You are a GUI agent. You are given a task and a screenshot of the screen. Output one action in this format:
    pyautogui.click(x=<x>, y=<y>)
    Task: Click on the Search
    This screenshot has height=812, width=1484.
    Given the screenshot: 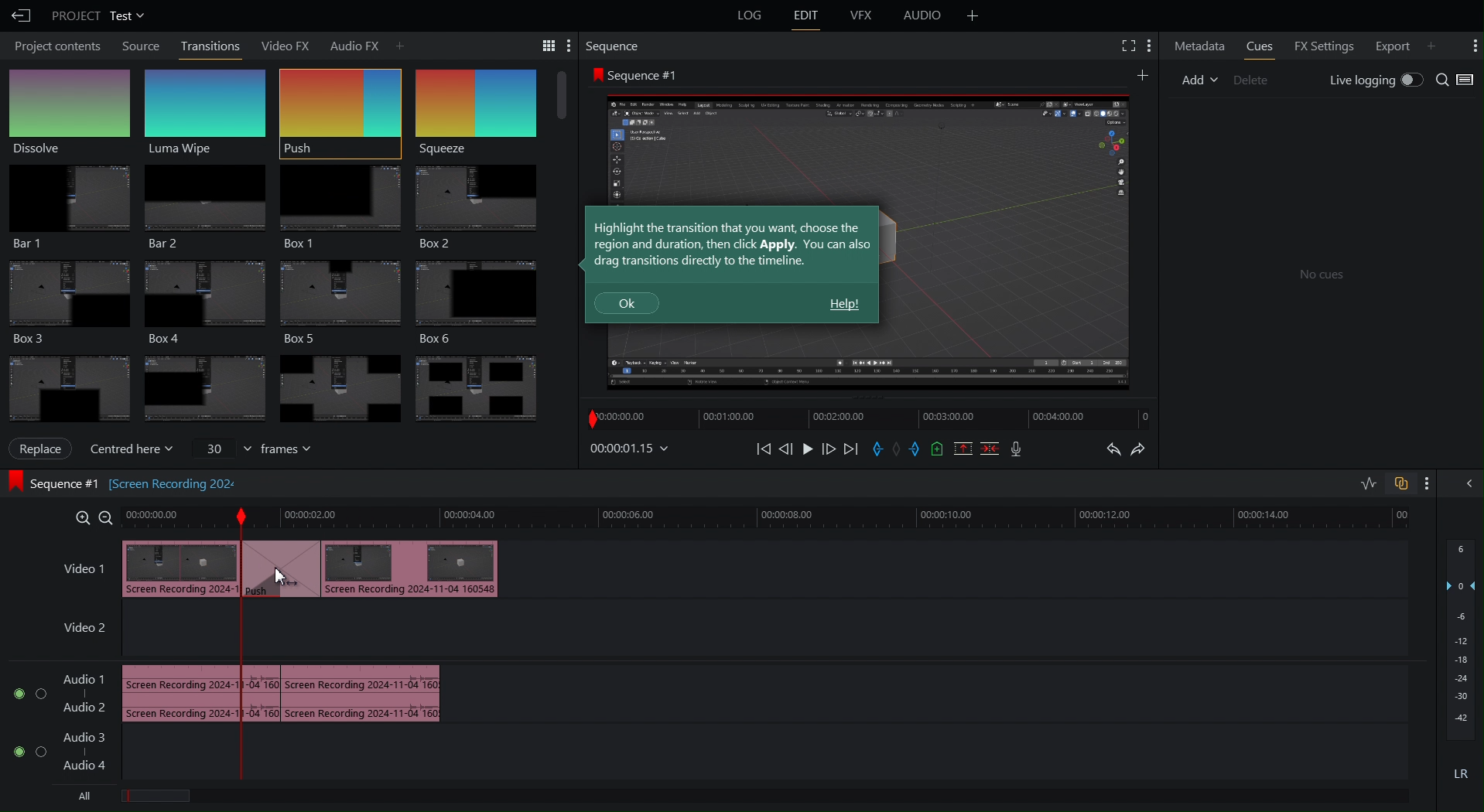 What is the action you would take?
    pyautogui.click(x=1456, y=80)
    